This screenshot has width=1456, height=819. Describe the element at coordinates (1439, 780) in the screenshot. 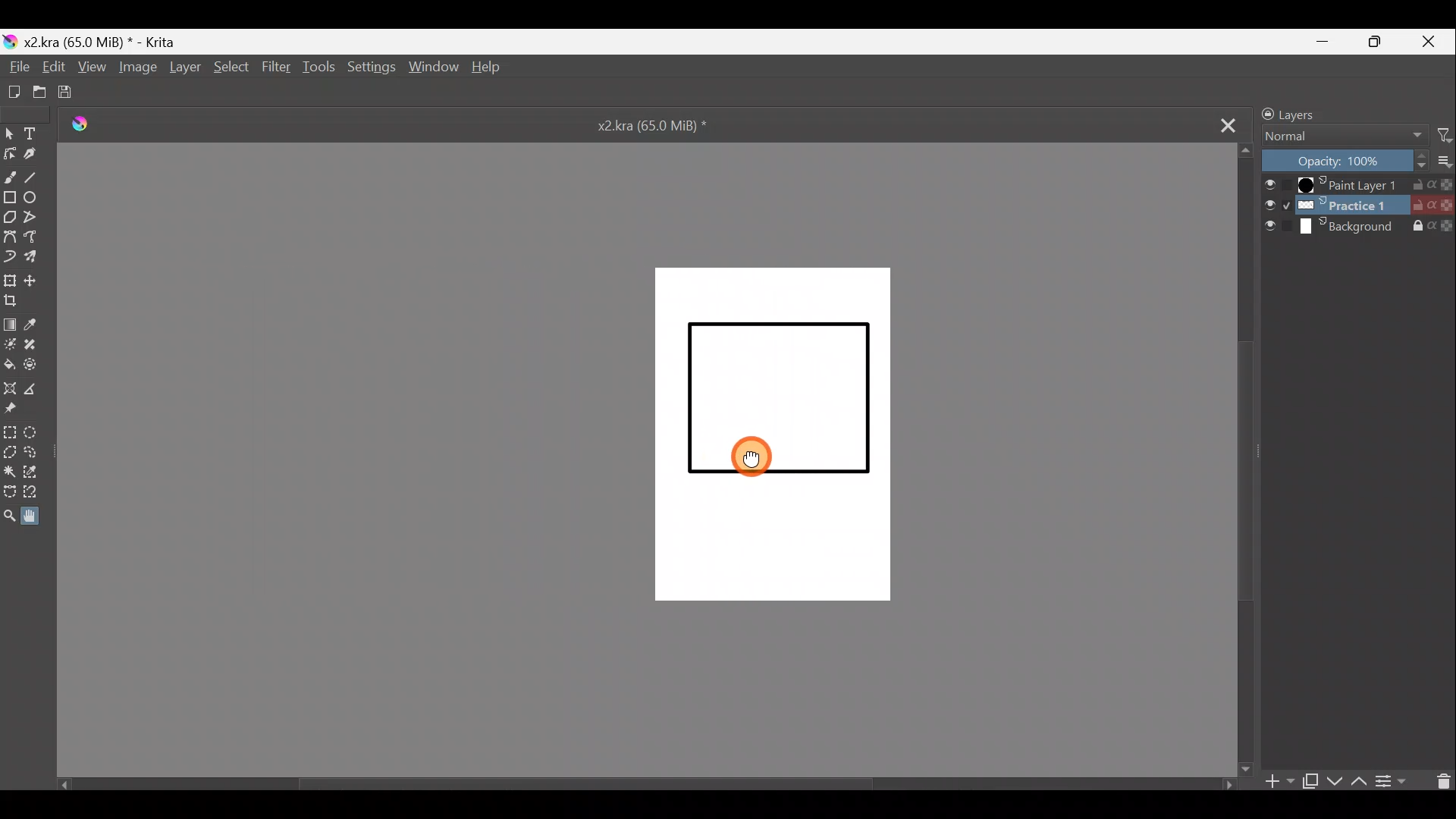

I see `Delete a layer` at that location.